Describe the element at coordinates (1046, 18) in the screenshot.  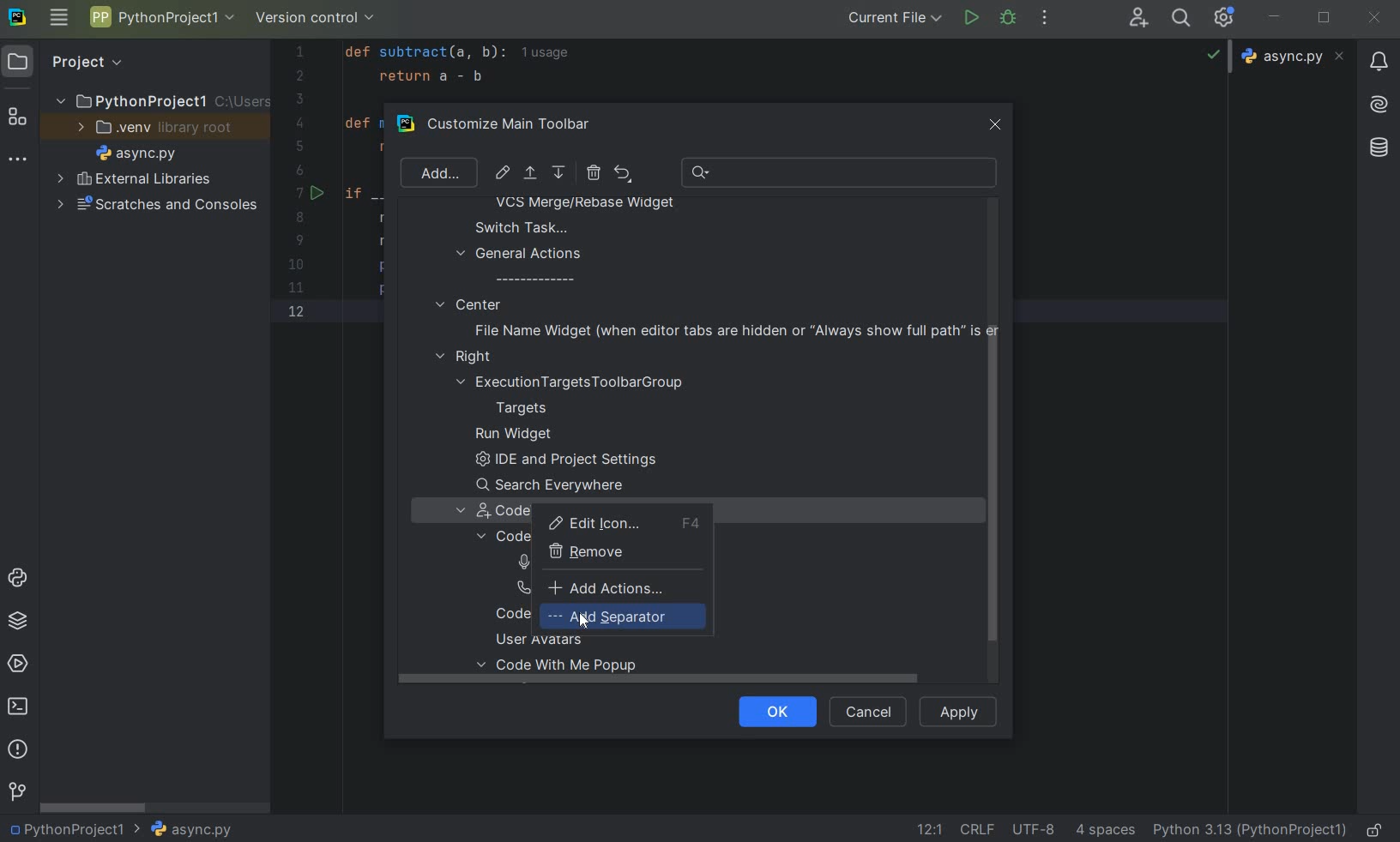
I see `MORE ACTIONS` at that location.